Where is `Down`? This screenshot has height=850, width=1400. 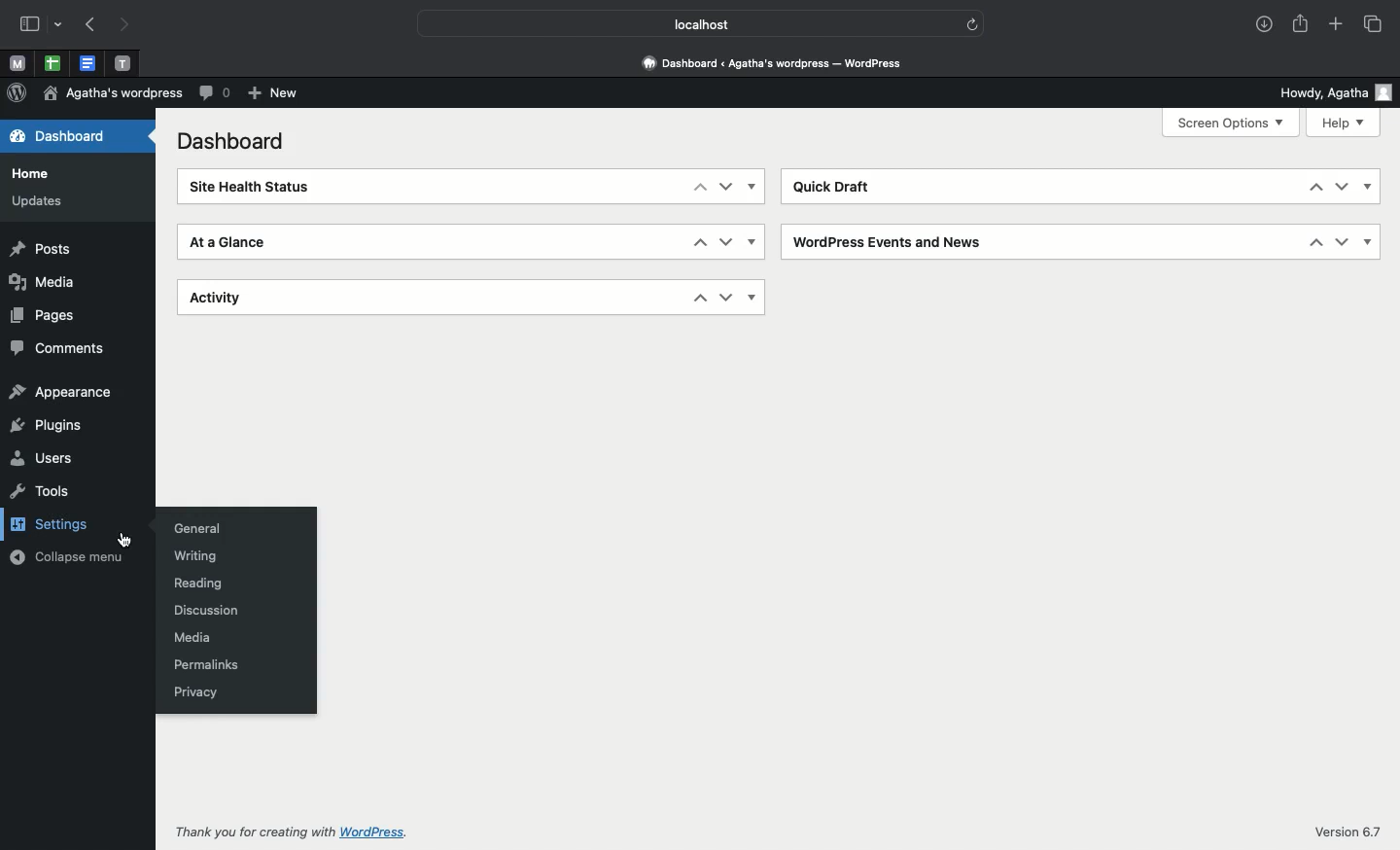 Down is located at coordinates (729, 188).